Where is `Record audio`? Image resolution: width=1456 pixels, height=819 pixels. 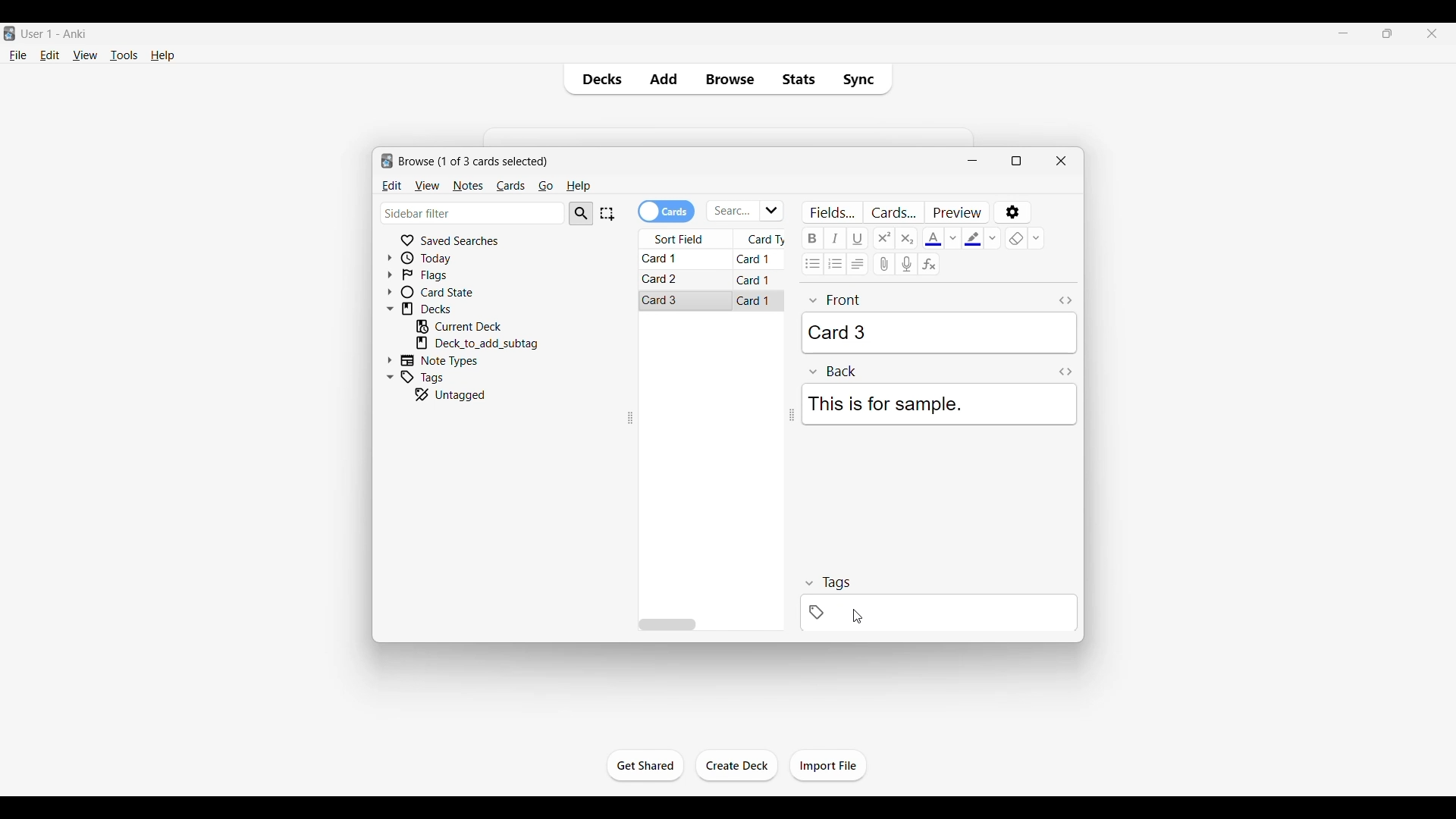 Record audio is located at coordinates (906, 264).